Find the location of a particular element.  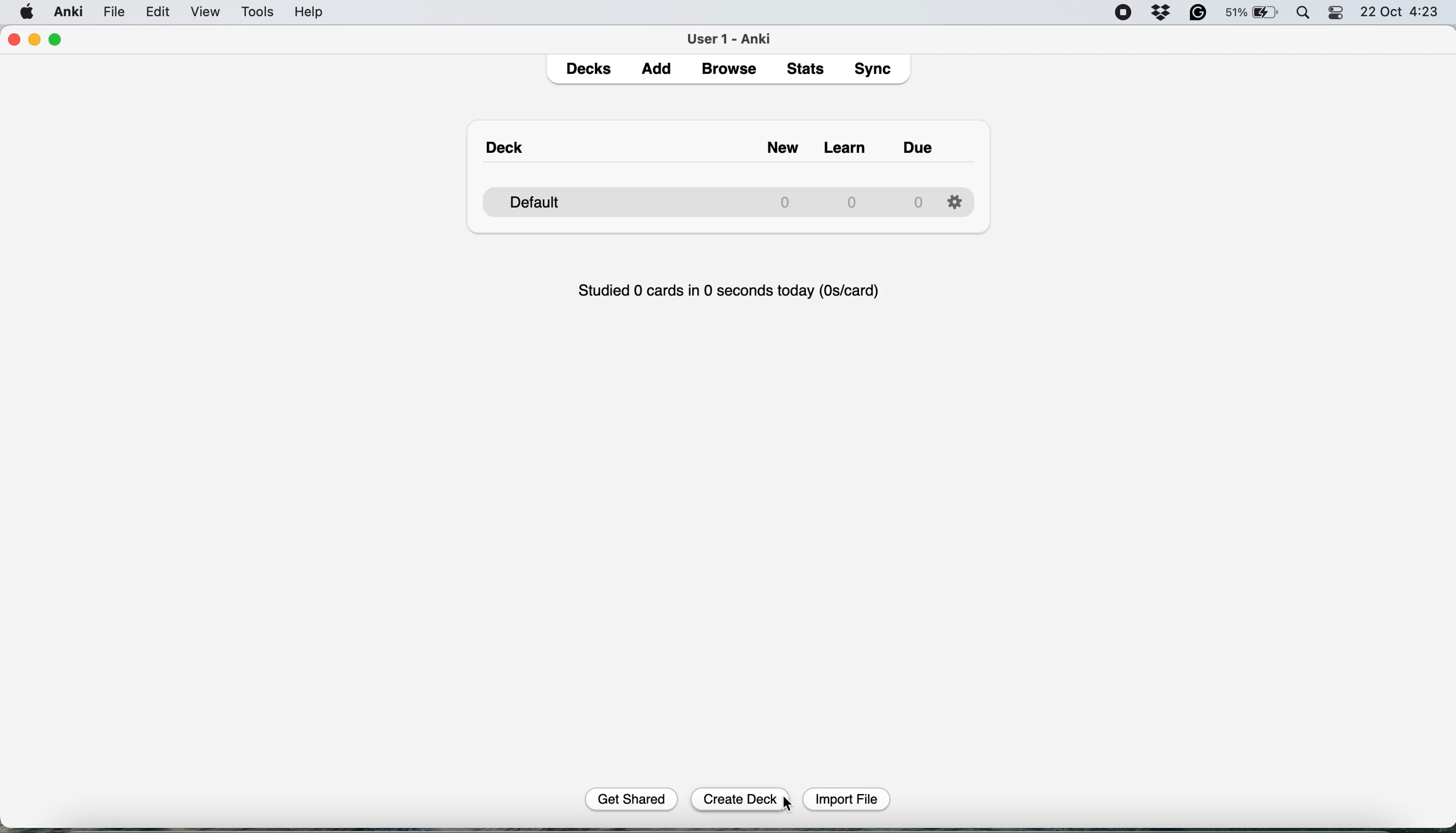

close is located at coordinates (15, 41).